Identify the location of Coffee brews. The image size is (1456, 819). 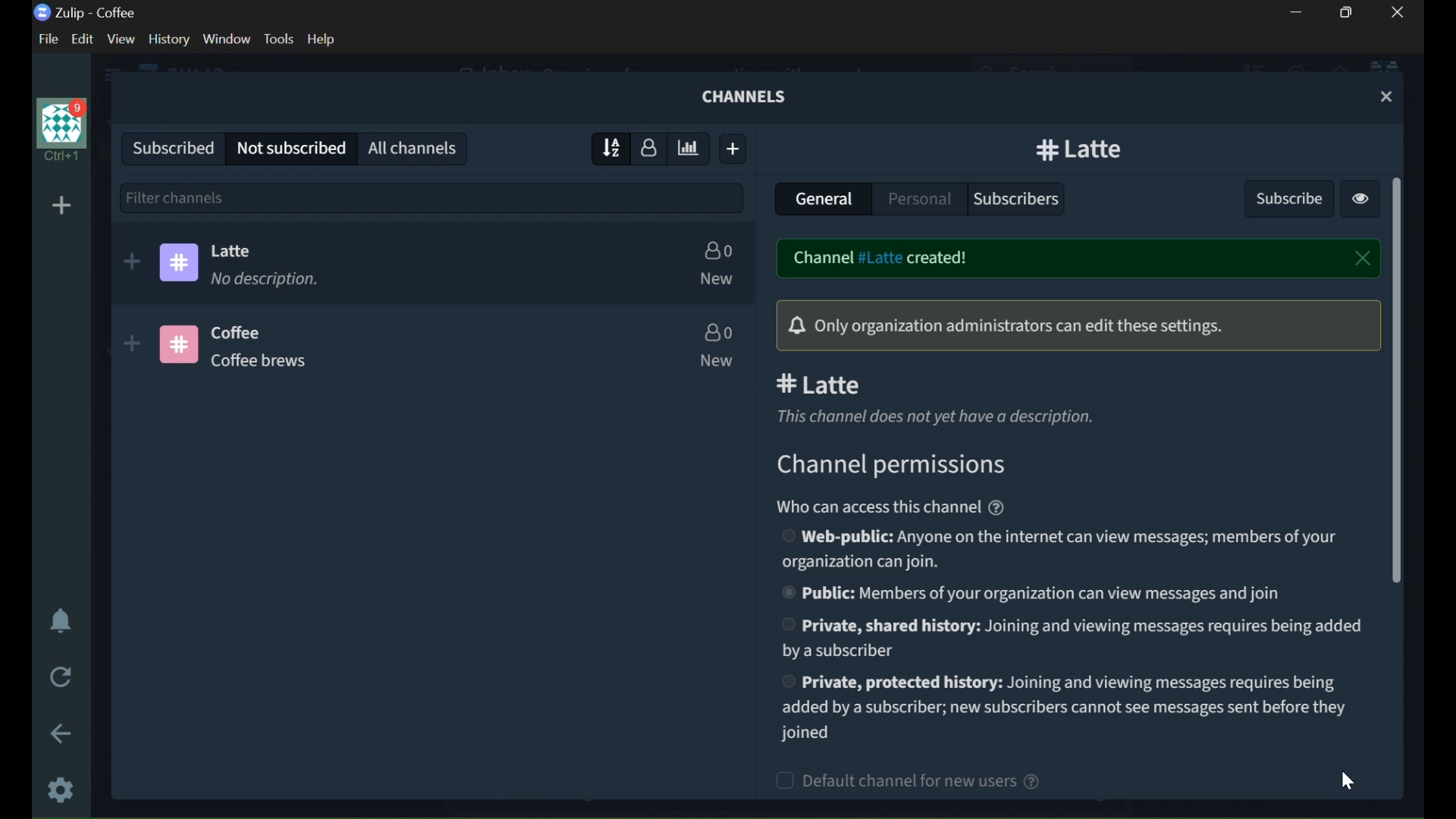
(262, 365).